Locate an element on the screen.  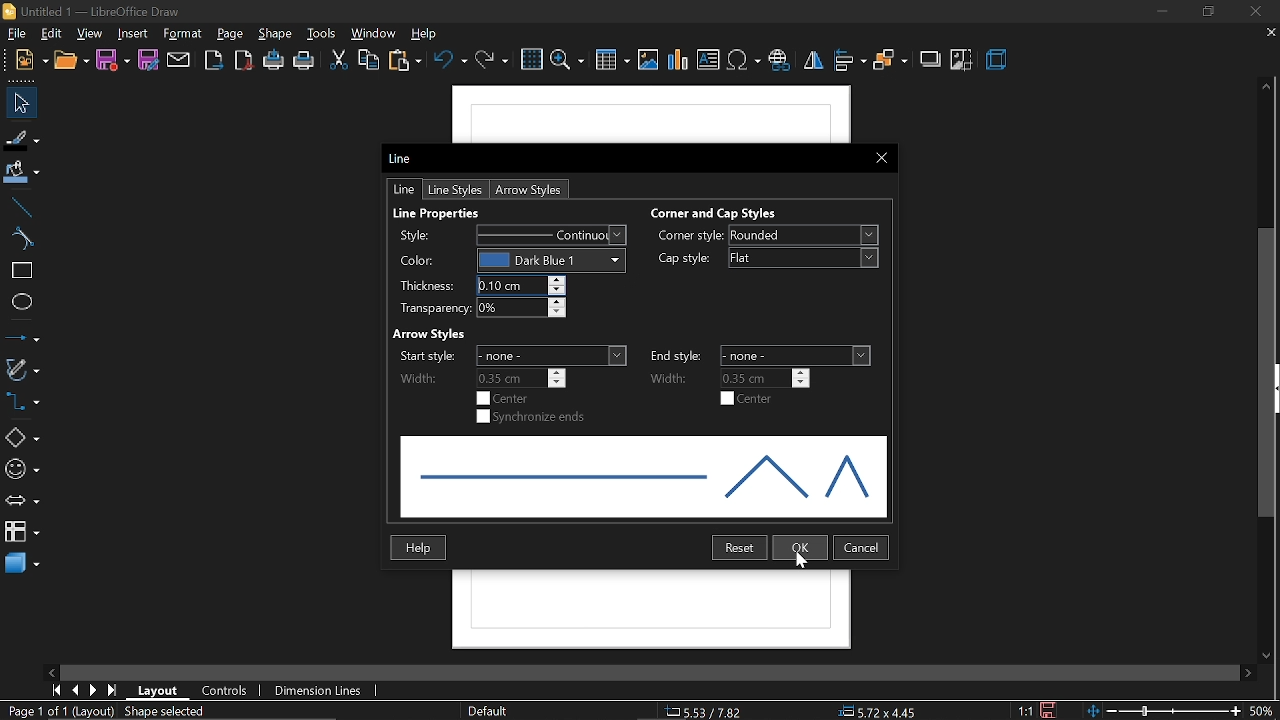
vertical scrollbar is located at coordinates (1270, 374).